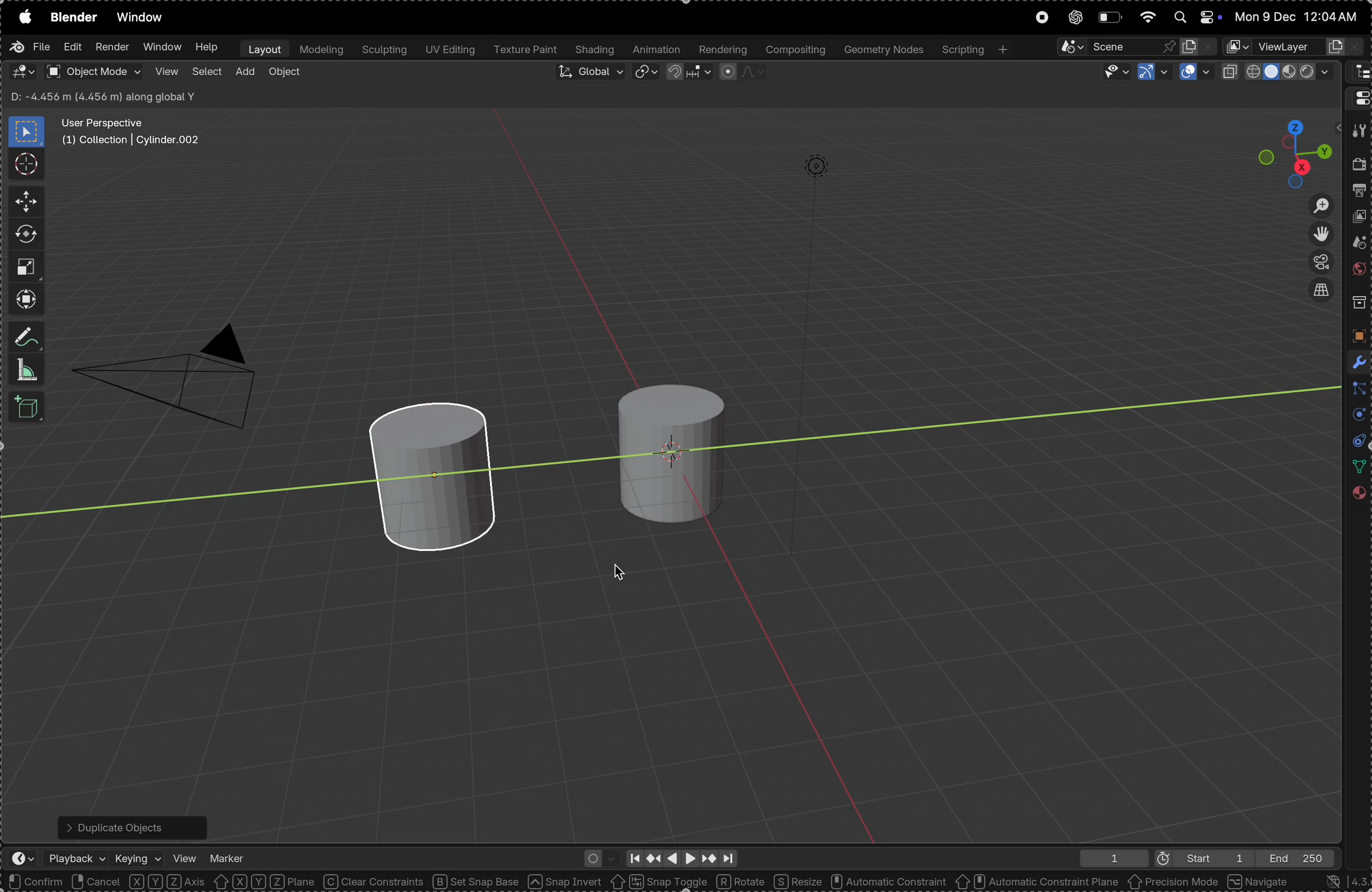  I want to click on clear constraints, so click(375, 882).